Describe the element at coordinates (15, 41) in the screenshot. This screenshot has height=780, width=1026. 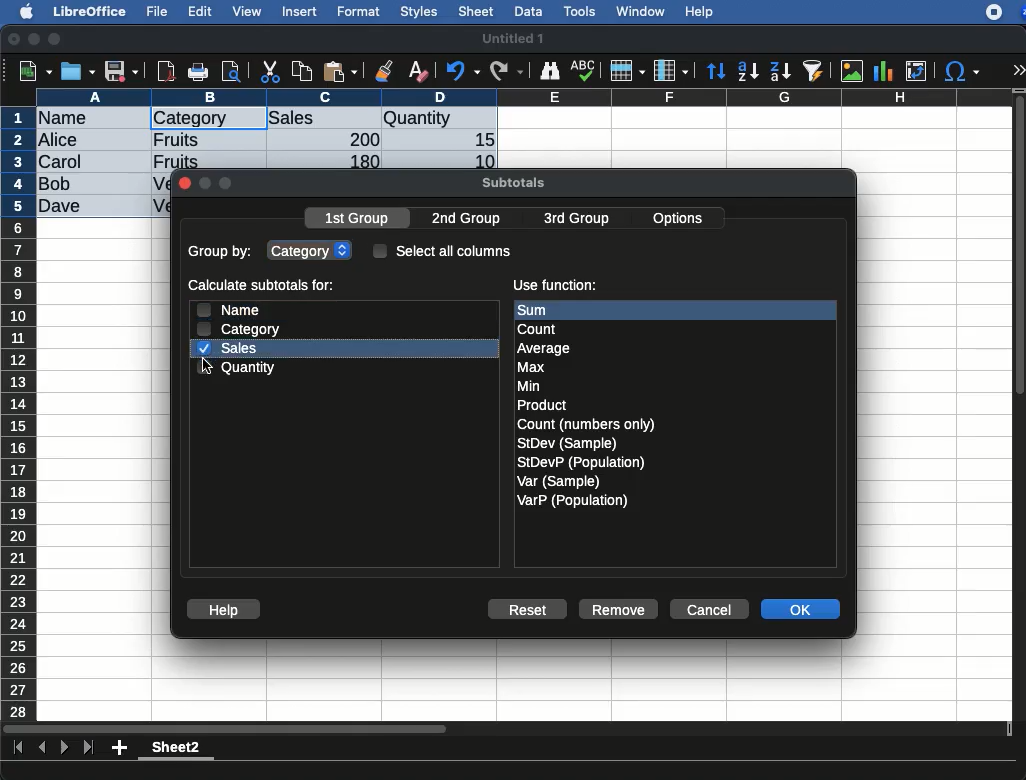
I see `close` at that location.